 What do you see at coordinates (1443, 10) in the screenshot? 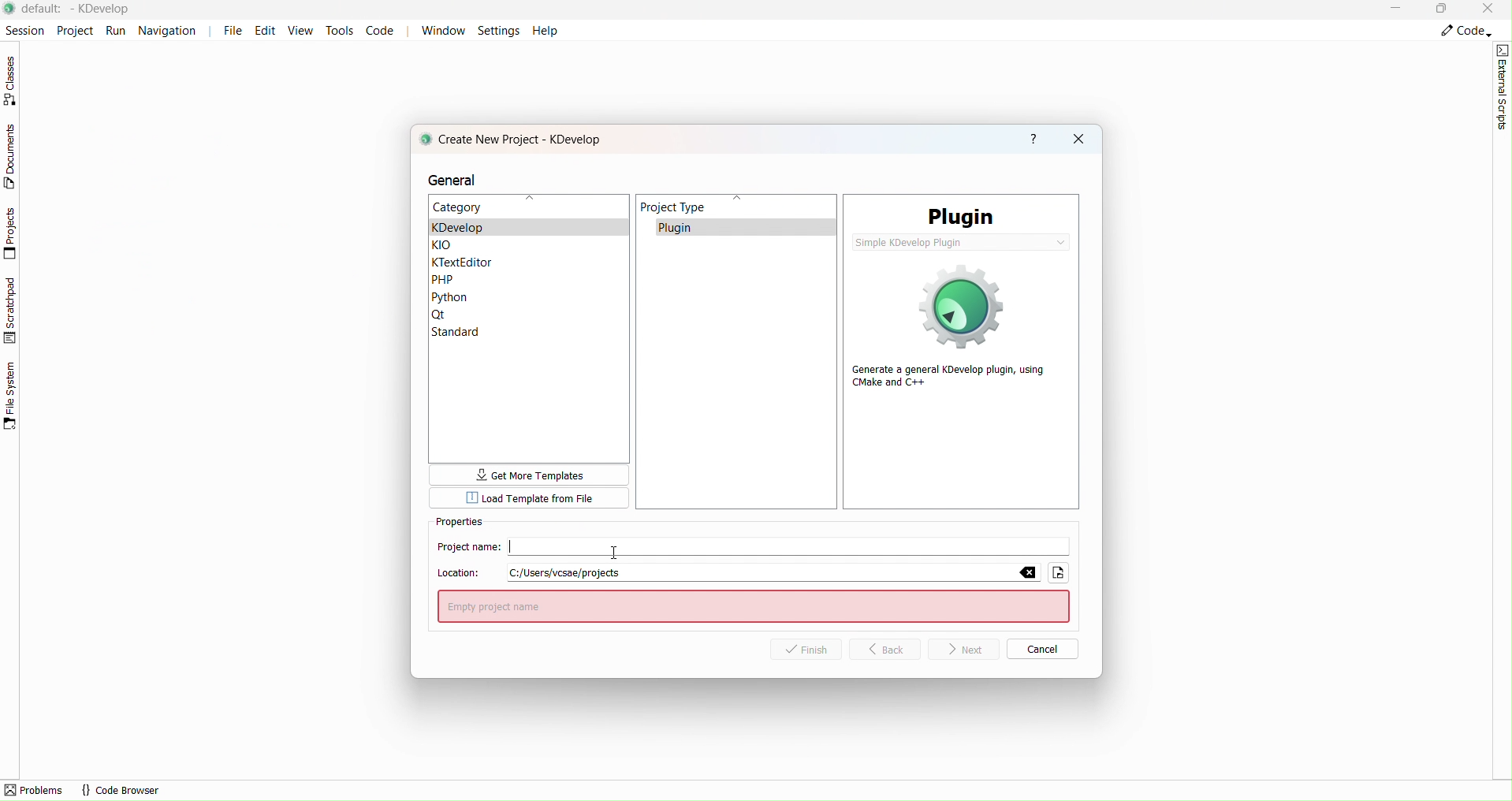
I see `Box` at bounding box center [1443, 10].